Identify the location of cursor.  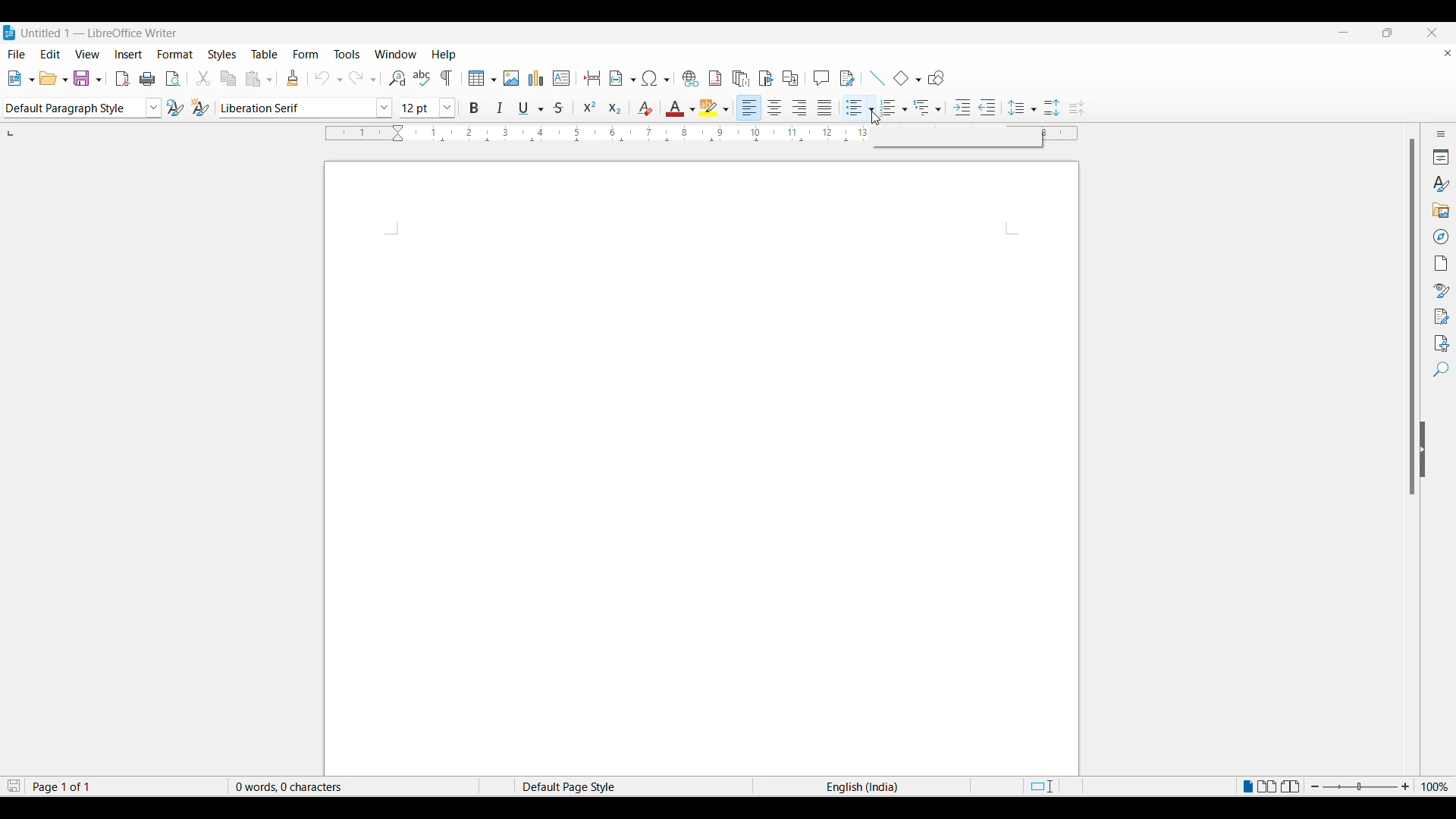
(878, 118).